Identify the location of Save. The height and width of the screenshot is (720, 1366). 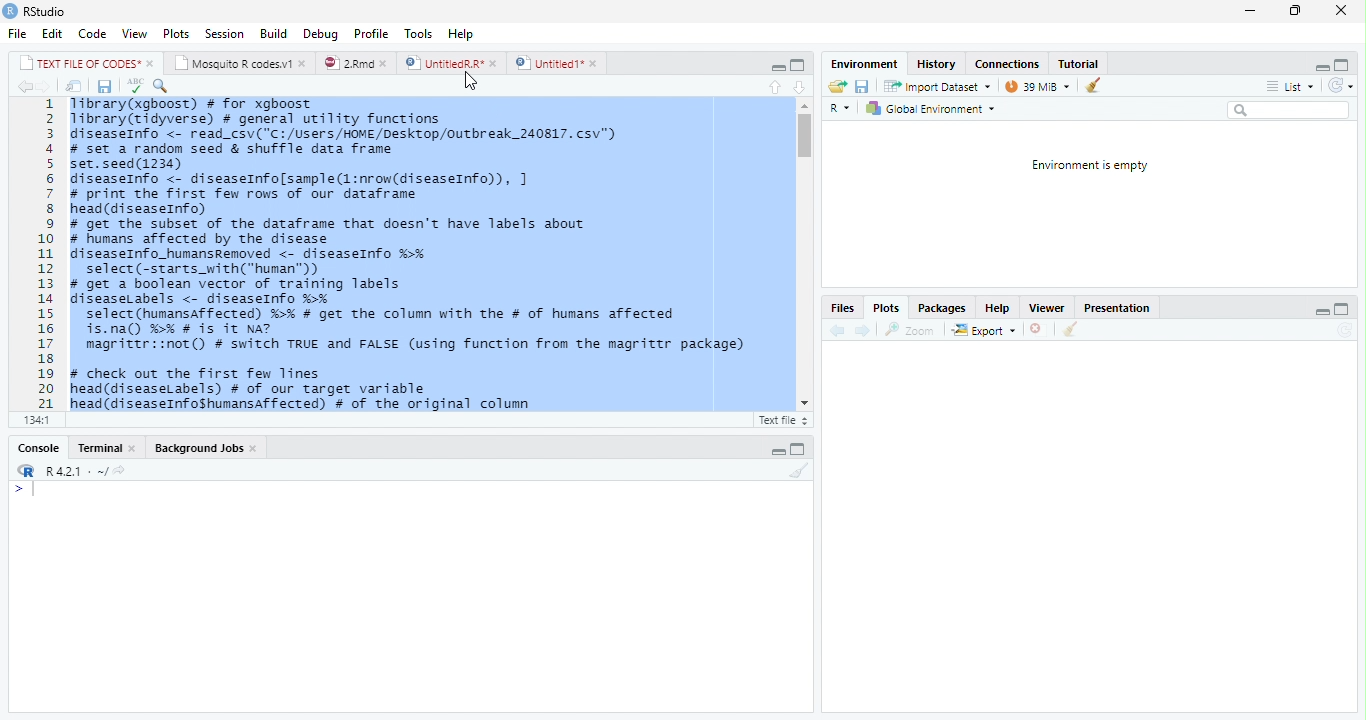
(101, 85).